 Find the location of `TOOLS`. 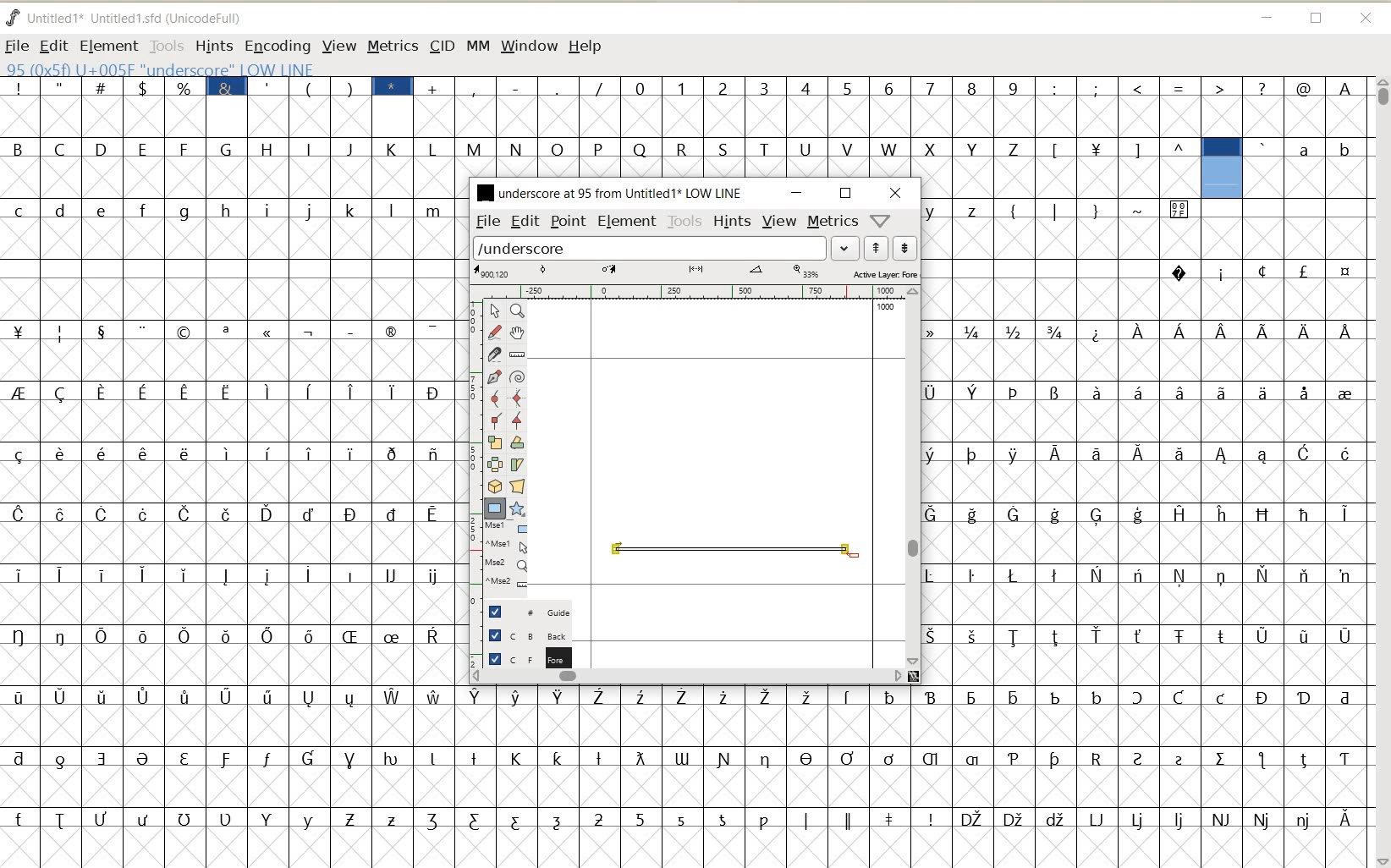

TOOLS is located at coordinates (165, 45).